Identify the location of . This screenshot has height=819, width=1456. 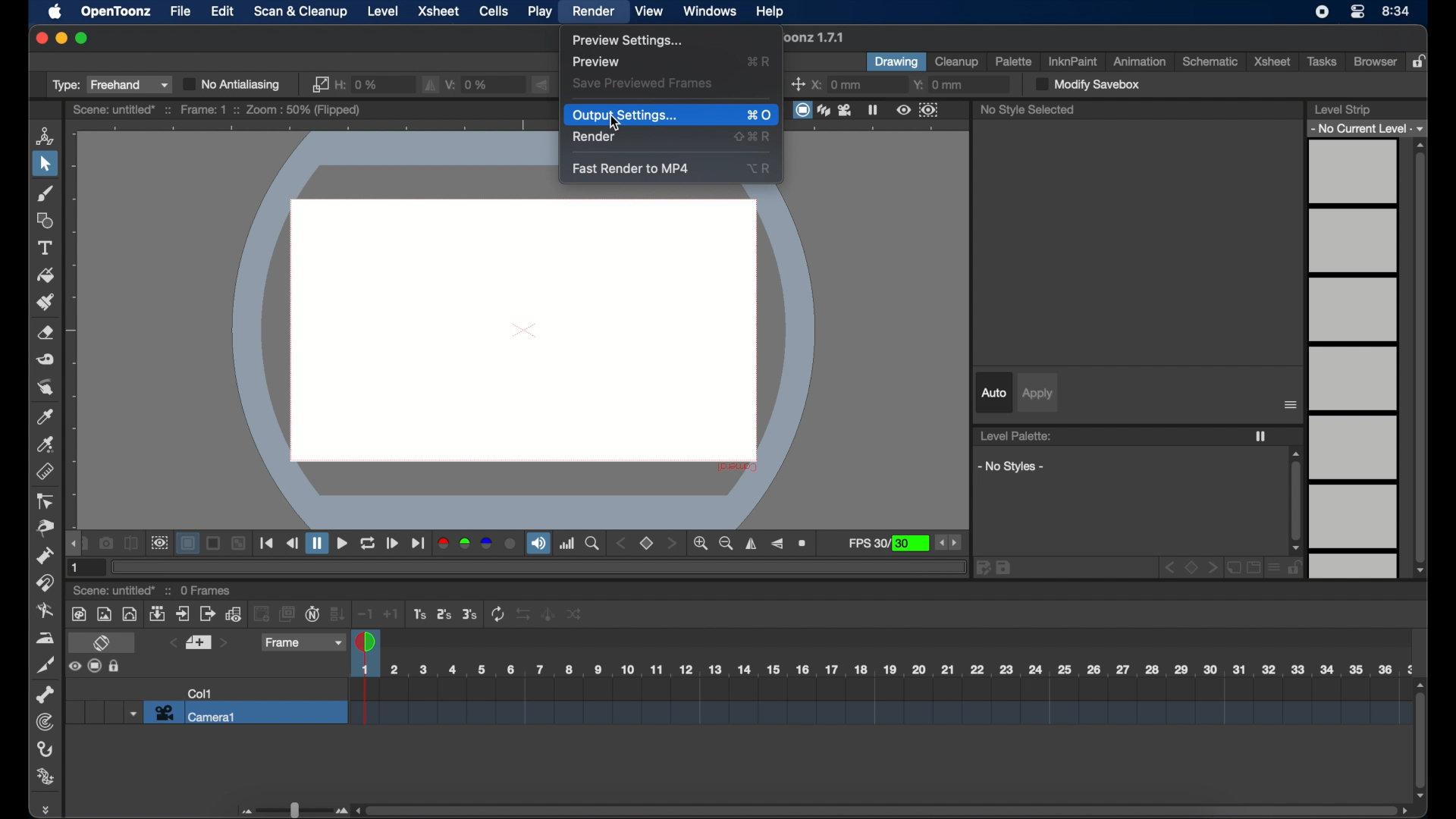
(1193, 568).